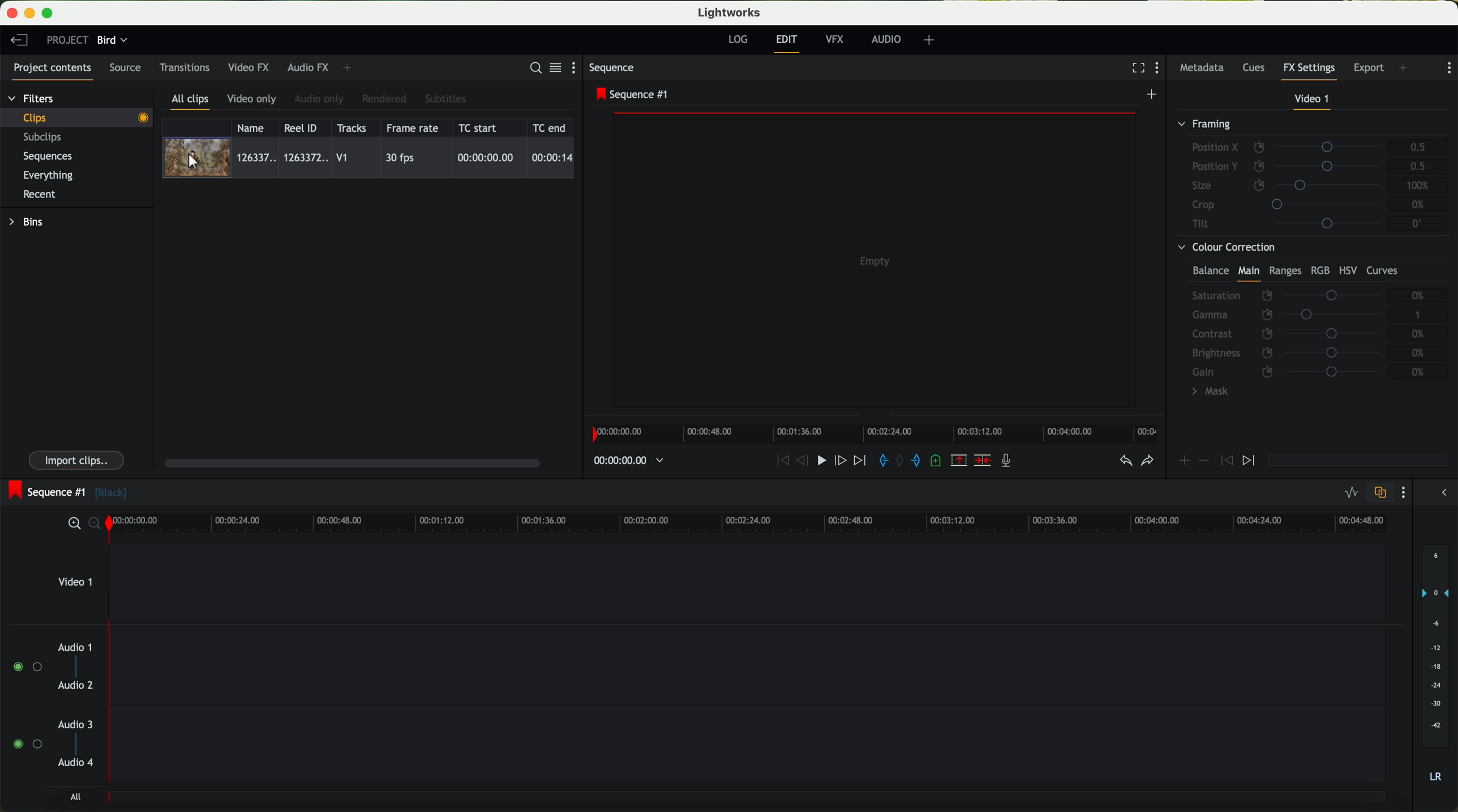  Describe the element at coordinates (49, 14) in the screenshot. I see `maximize program` at that location.